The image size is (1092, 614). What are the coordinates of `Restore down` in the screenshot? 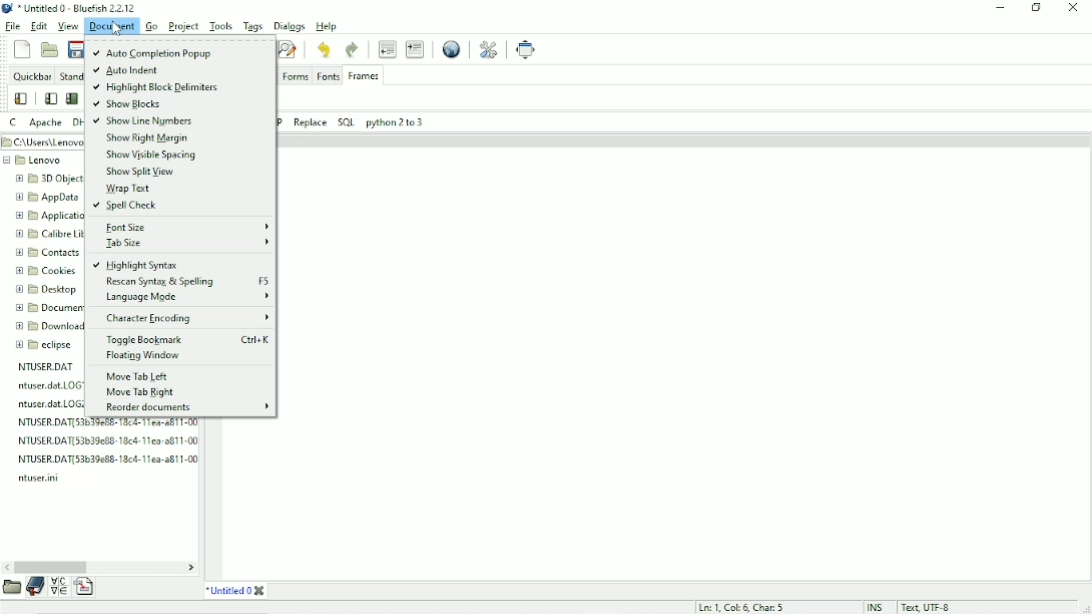 It's located at (1036, 9).